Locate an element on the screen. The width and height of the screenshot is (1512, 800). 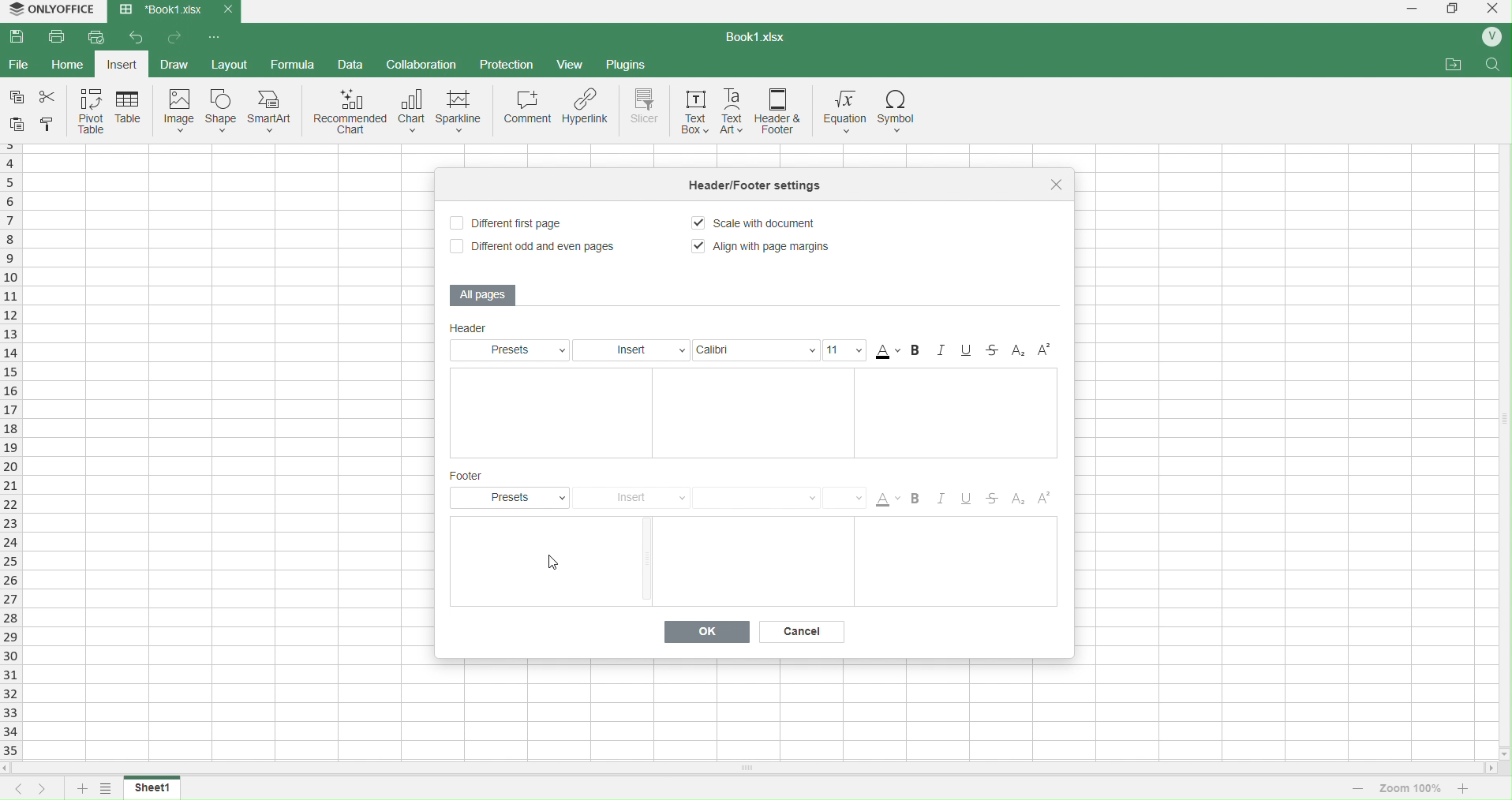
profile is located at coordinates (1491, 38).